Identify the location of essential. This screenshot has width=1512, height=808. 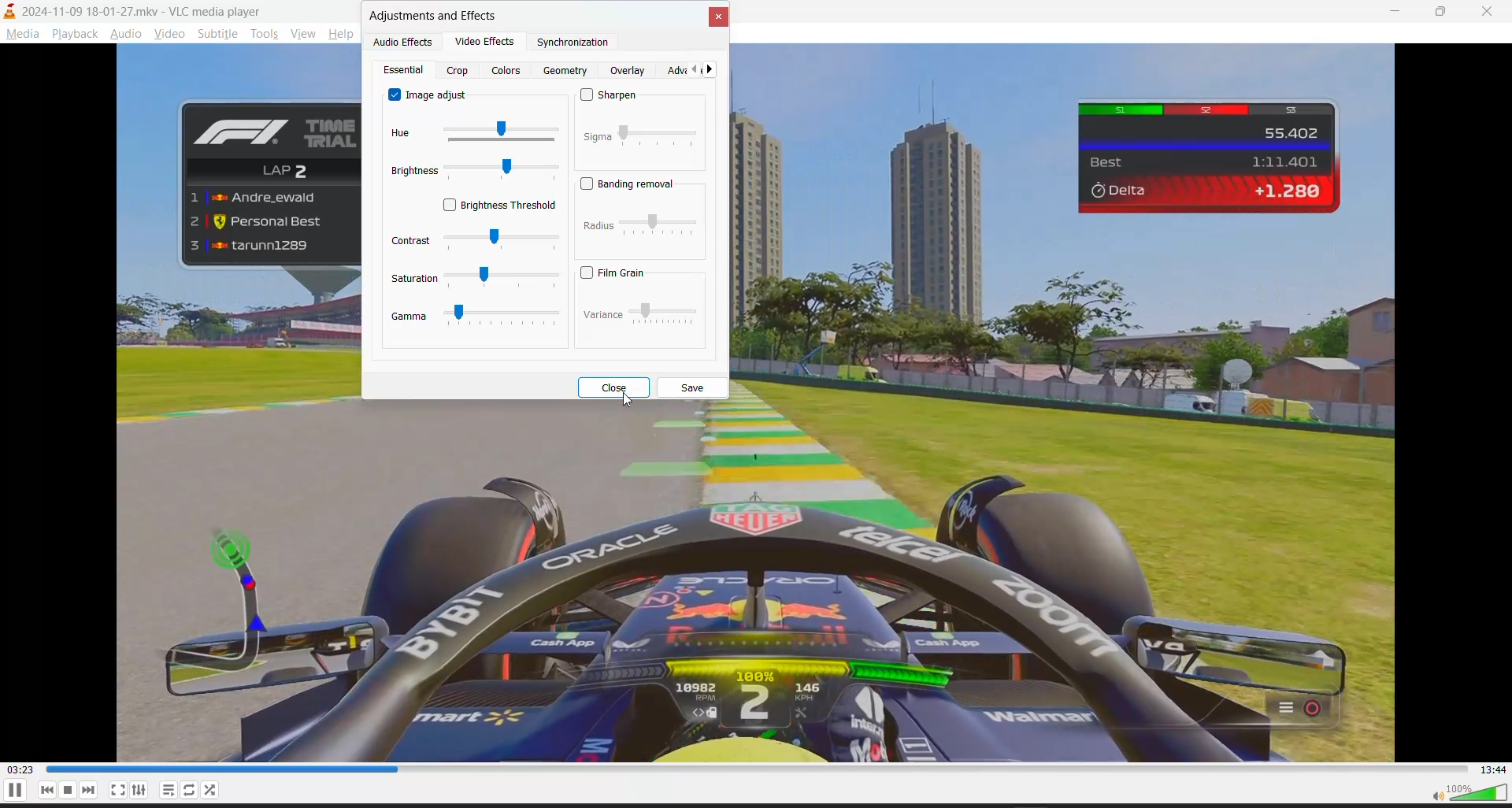
(406, 71).